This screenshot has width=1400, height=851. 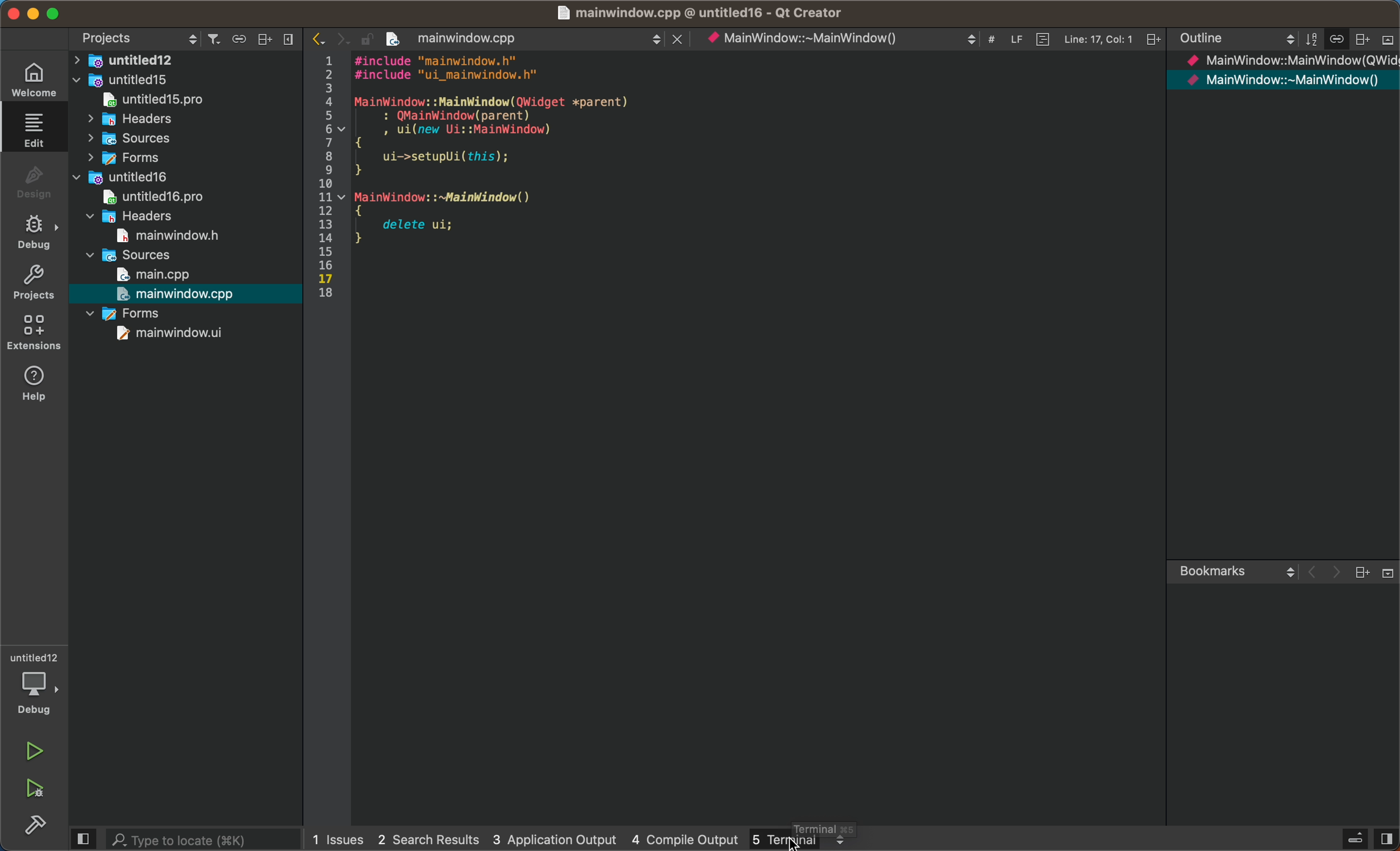 What do you see at coordinates (1284, 40) in the screenshot?
I see `outline` at bounding box center [1284, 40].